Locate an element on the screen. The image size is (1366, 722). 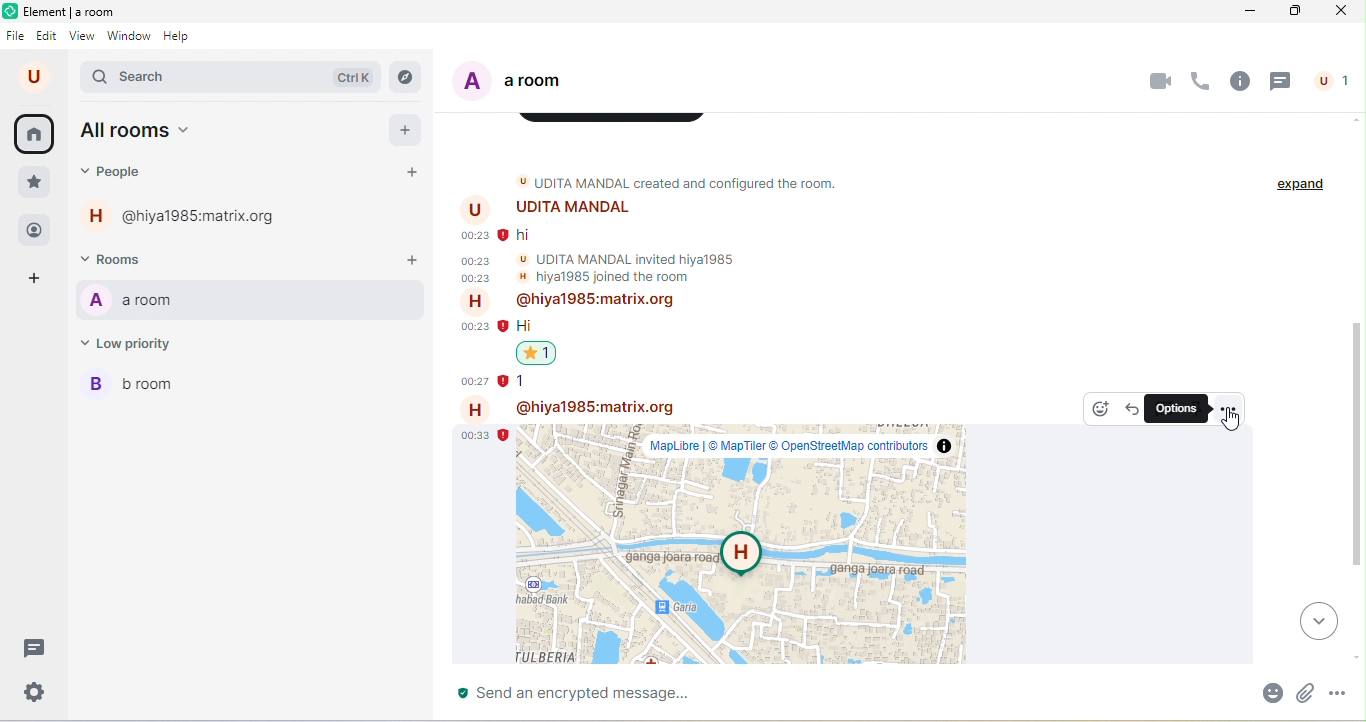
add space is located at coordinates (33, 282).